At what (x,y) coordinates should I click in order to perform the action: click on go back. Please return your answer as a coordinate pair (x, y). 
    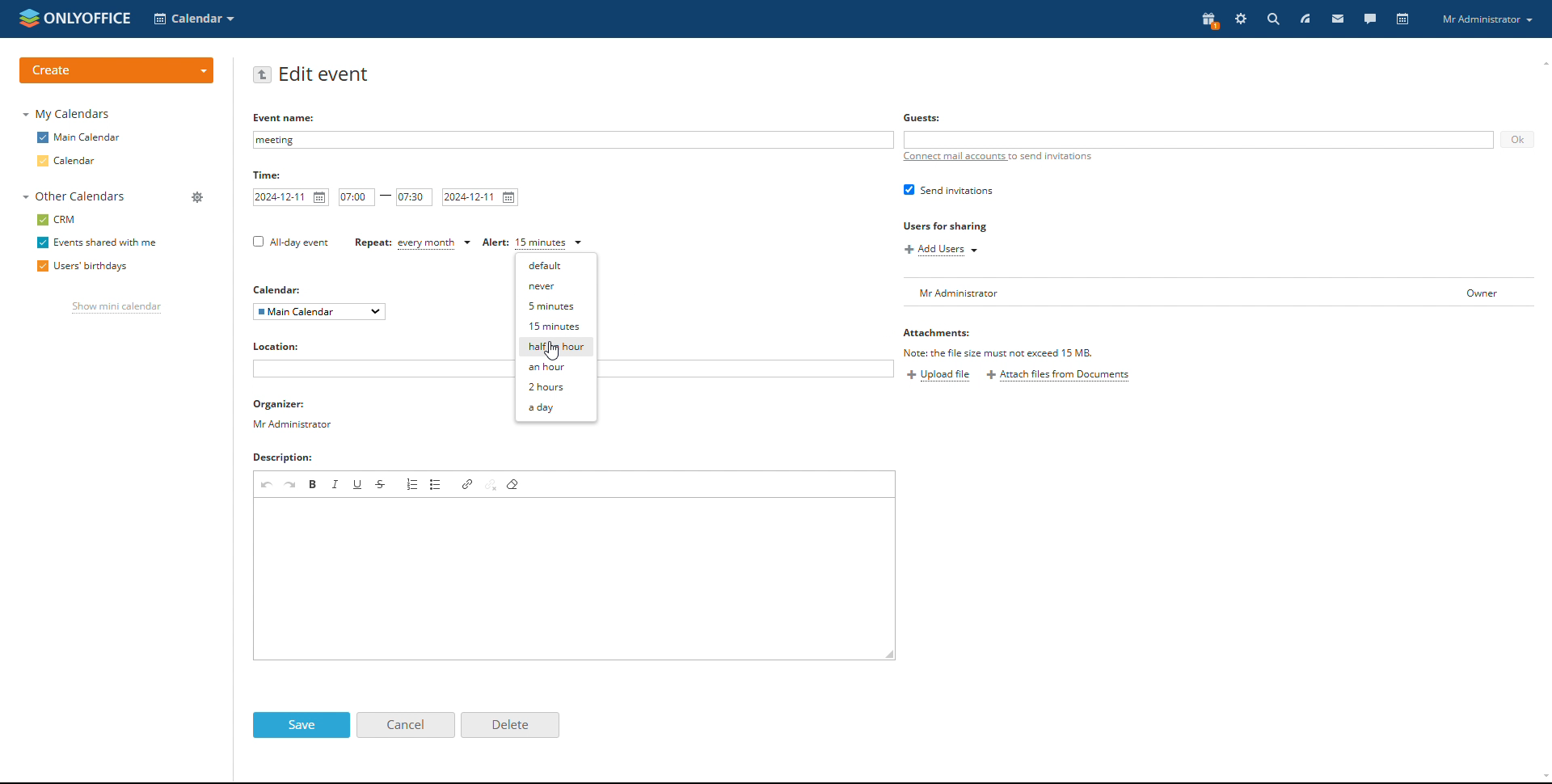
    Looking at the image, I should click on (263, 75).